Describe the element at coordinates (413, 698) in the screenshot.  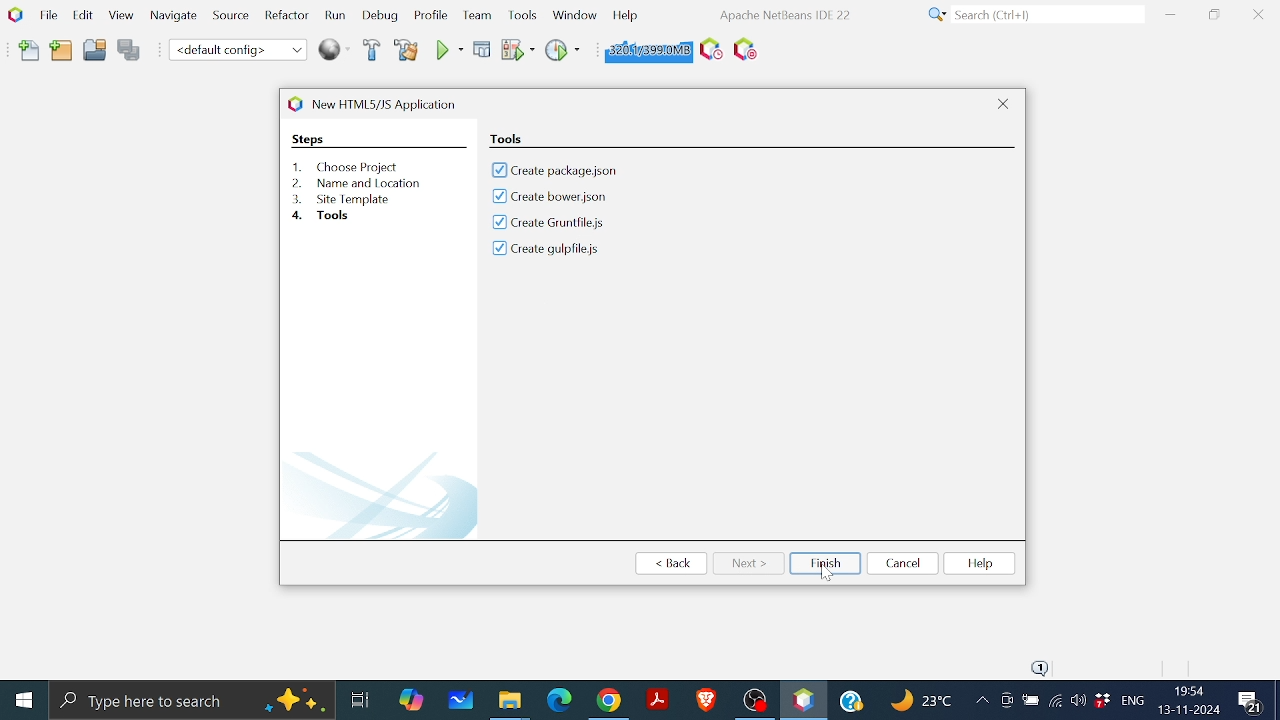
I see `Copilot` at that location.